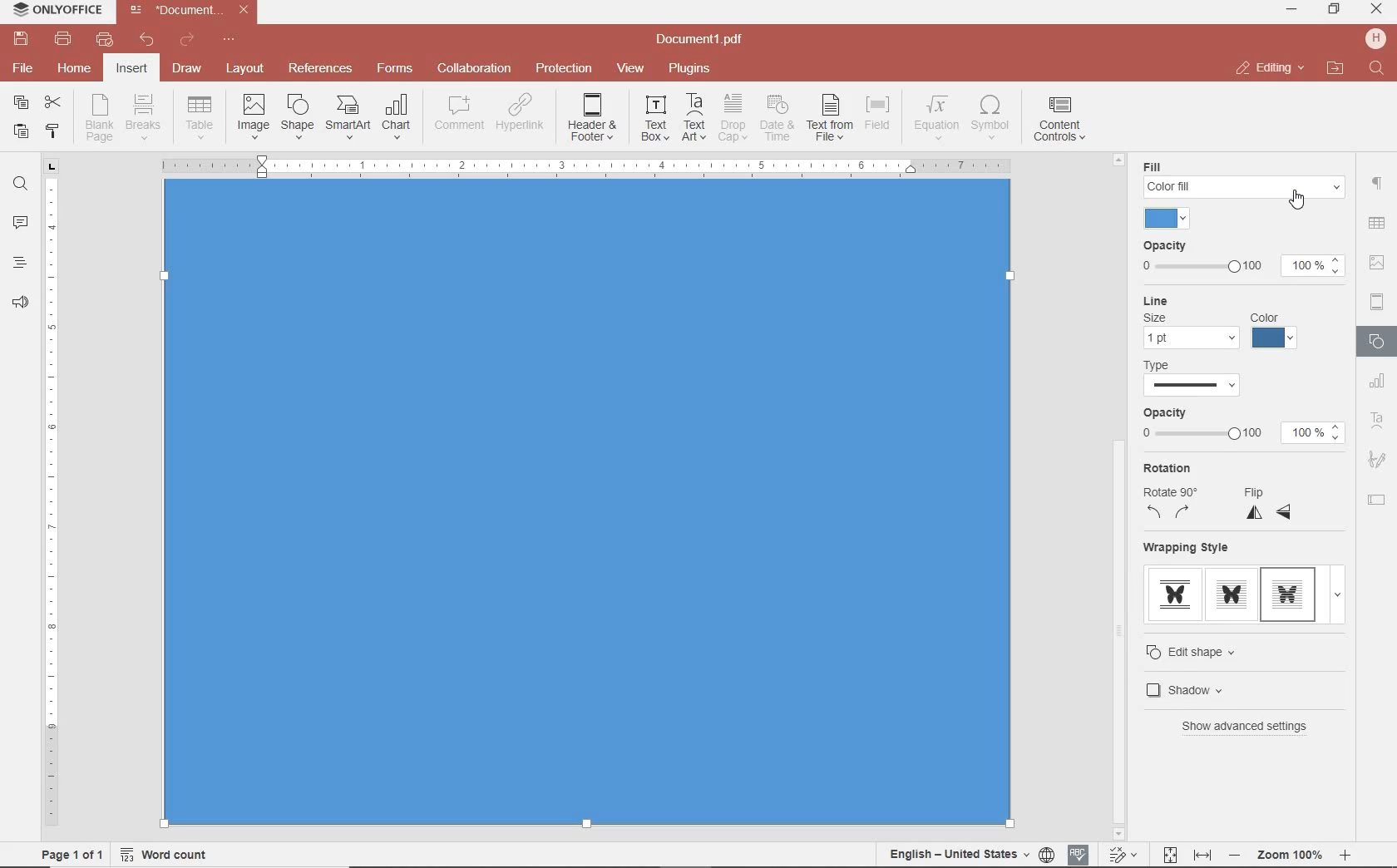  Describe the element at coordinates (990, 116) in the screenshot. I see `INSERT SYMBOL` at that location.